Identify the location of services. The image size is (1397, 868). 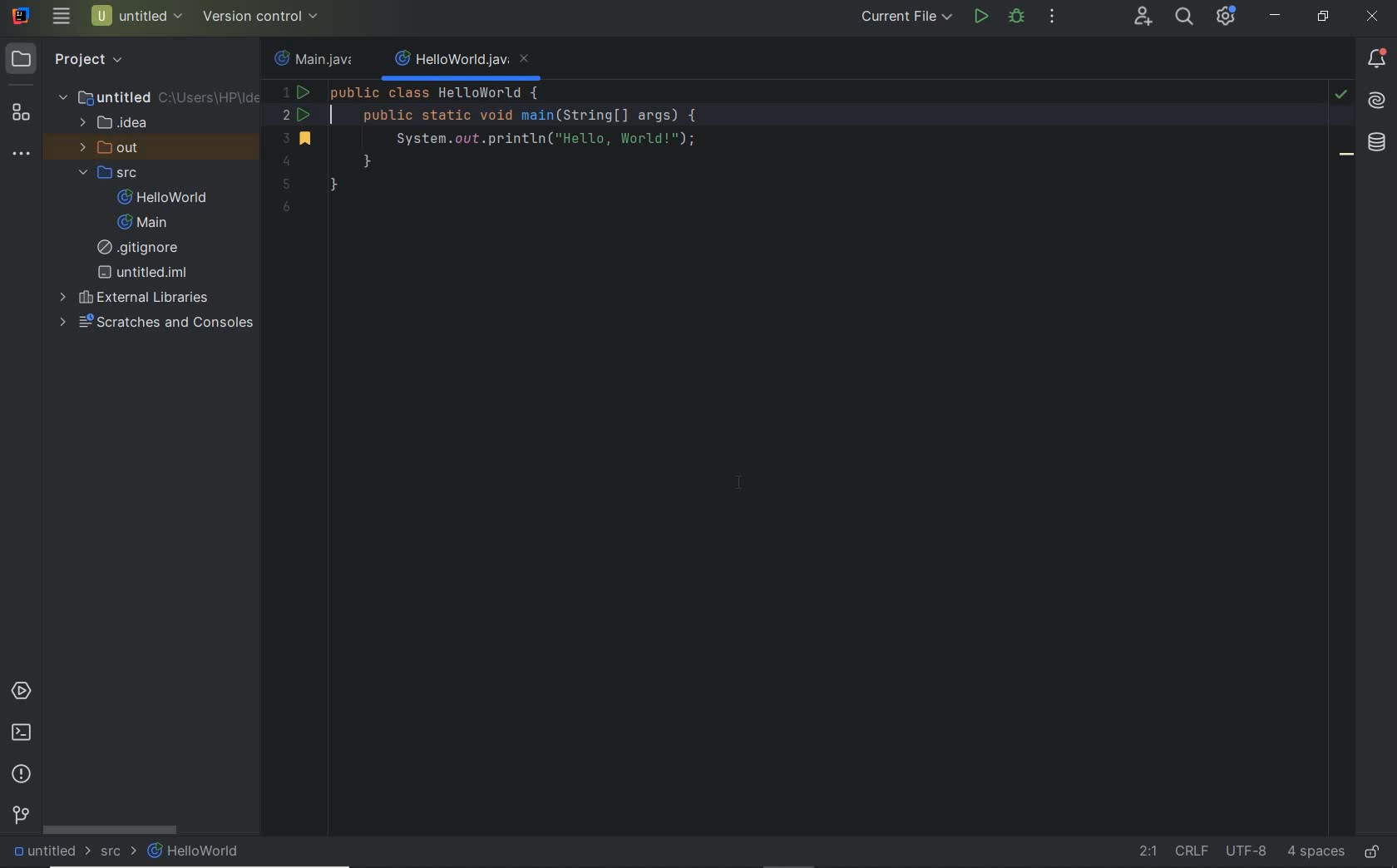
(21, 692).